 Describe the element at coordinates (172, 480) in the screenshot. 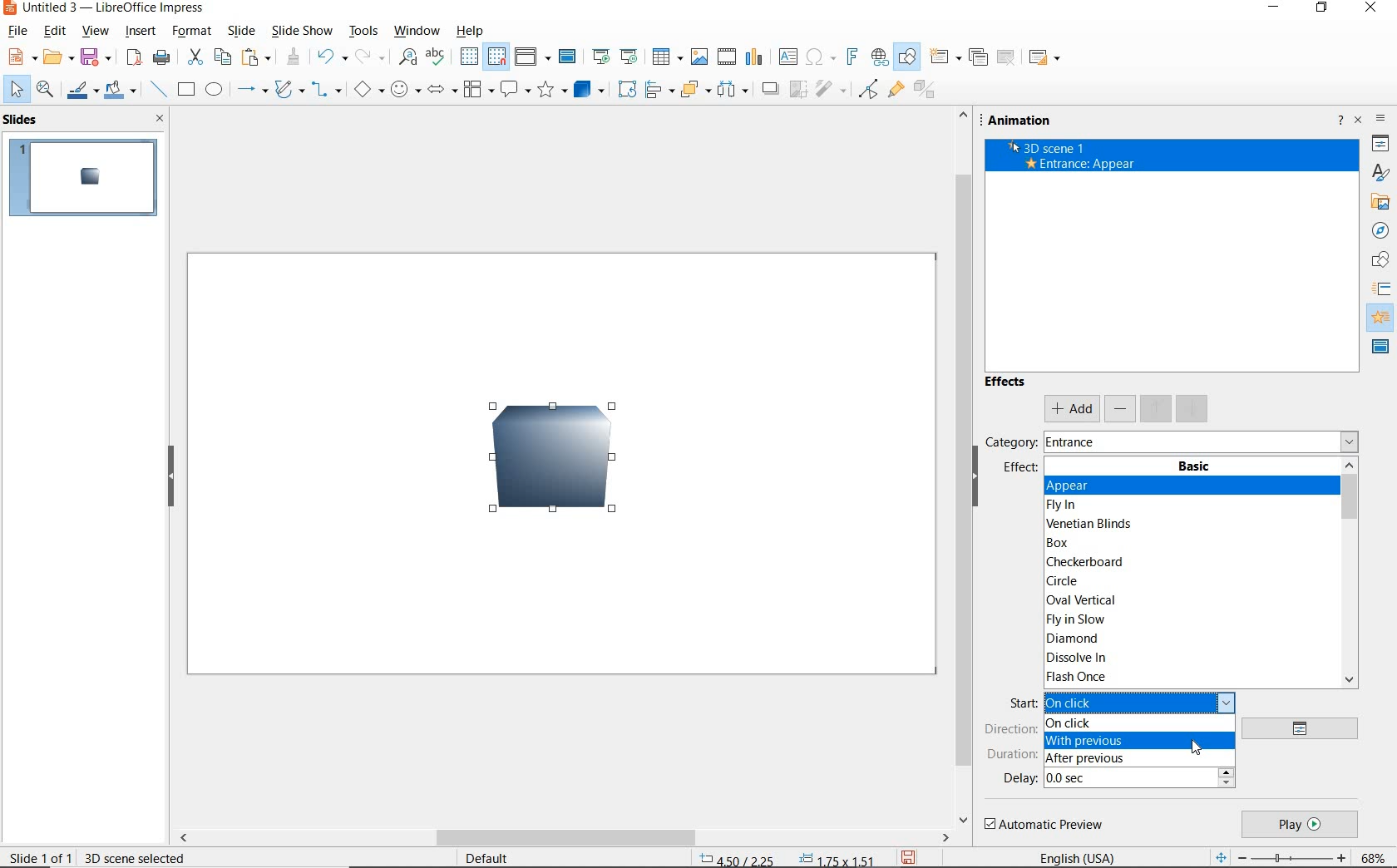

I see `hide` at that location.